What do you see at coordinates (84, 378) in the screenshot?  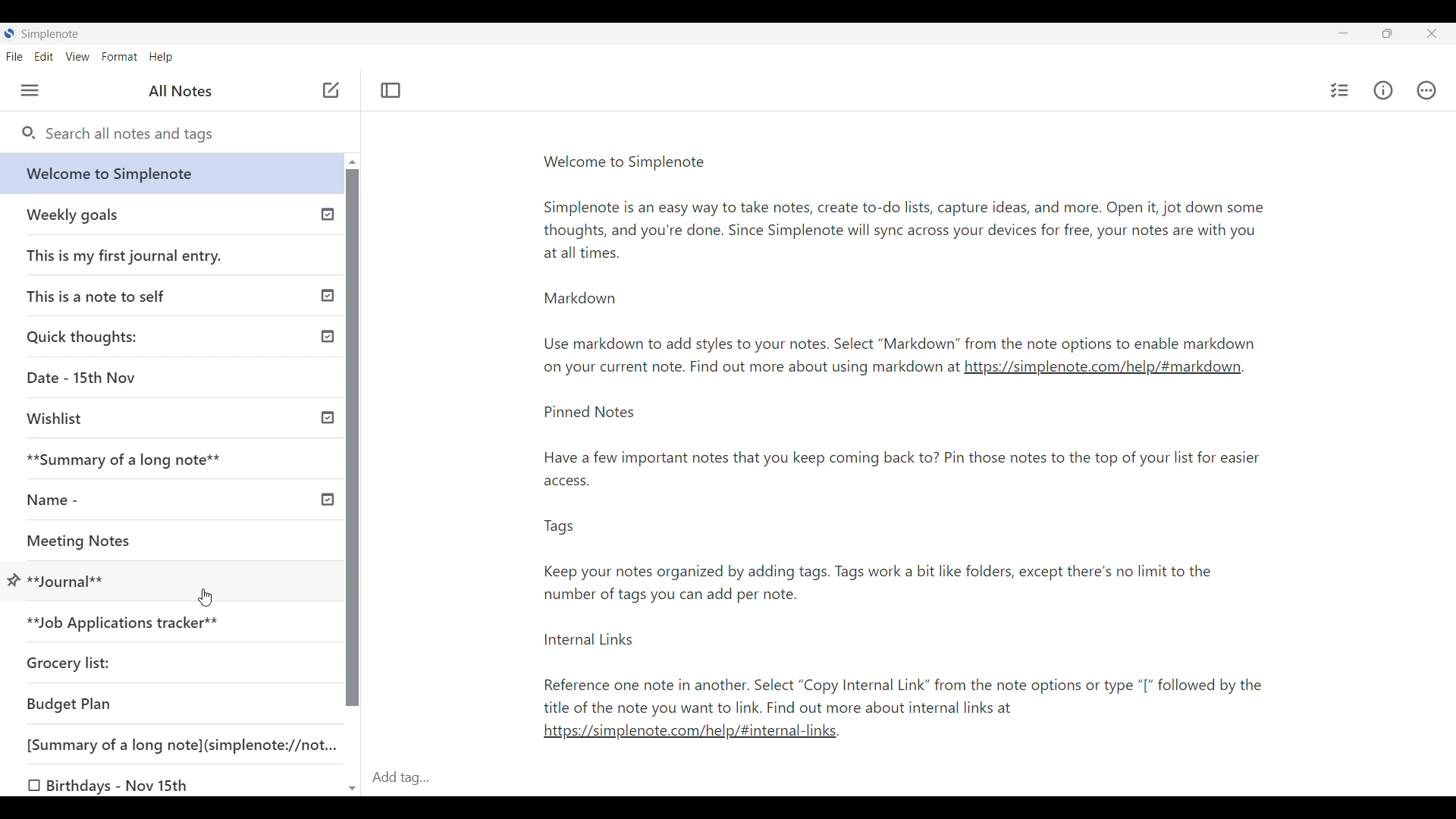 I see `Date - 15th Nov` at bounding box center [84, 378].